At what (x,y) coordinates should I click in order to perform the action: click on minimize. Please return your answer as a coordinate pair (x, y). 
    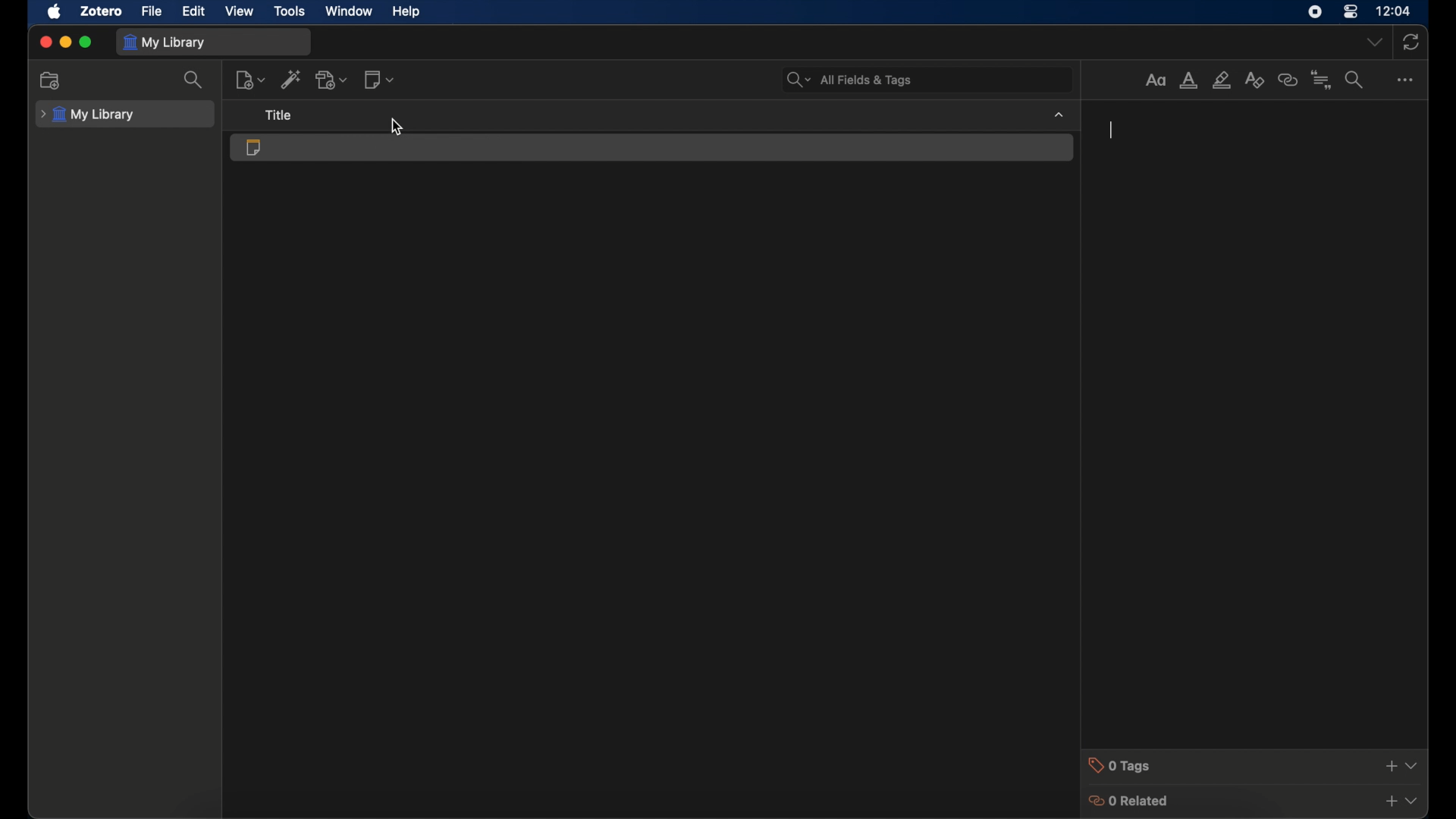
    Looking at the image, I should click on (67, 43).